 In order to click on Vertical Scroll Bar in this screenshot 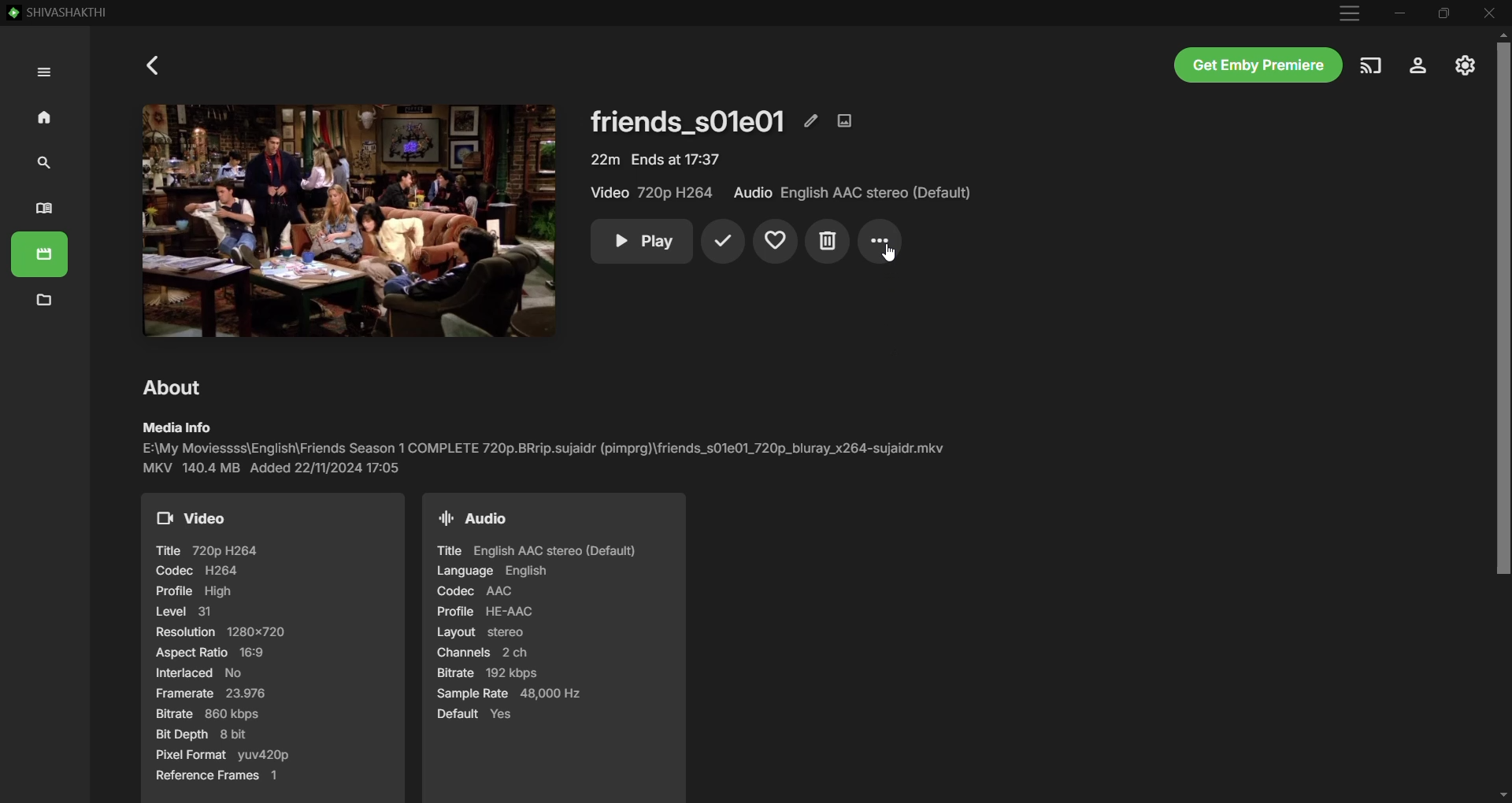, I will do `click(1503, 415)`.